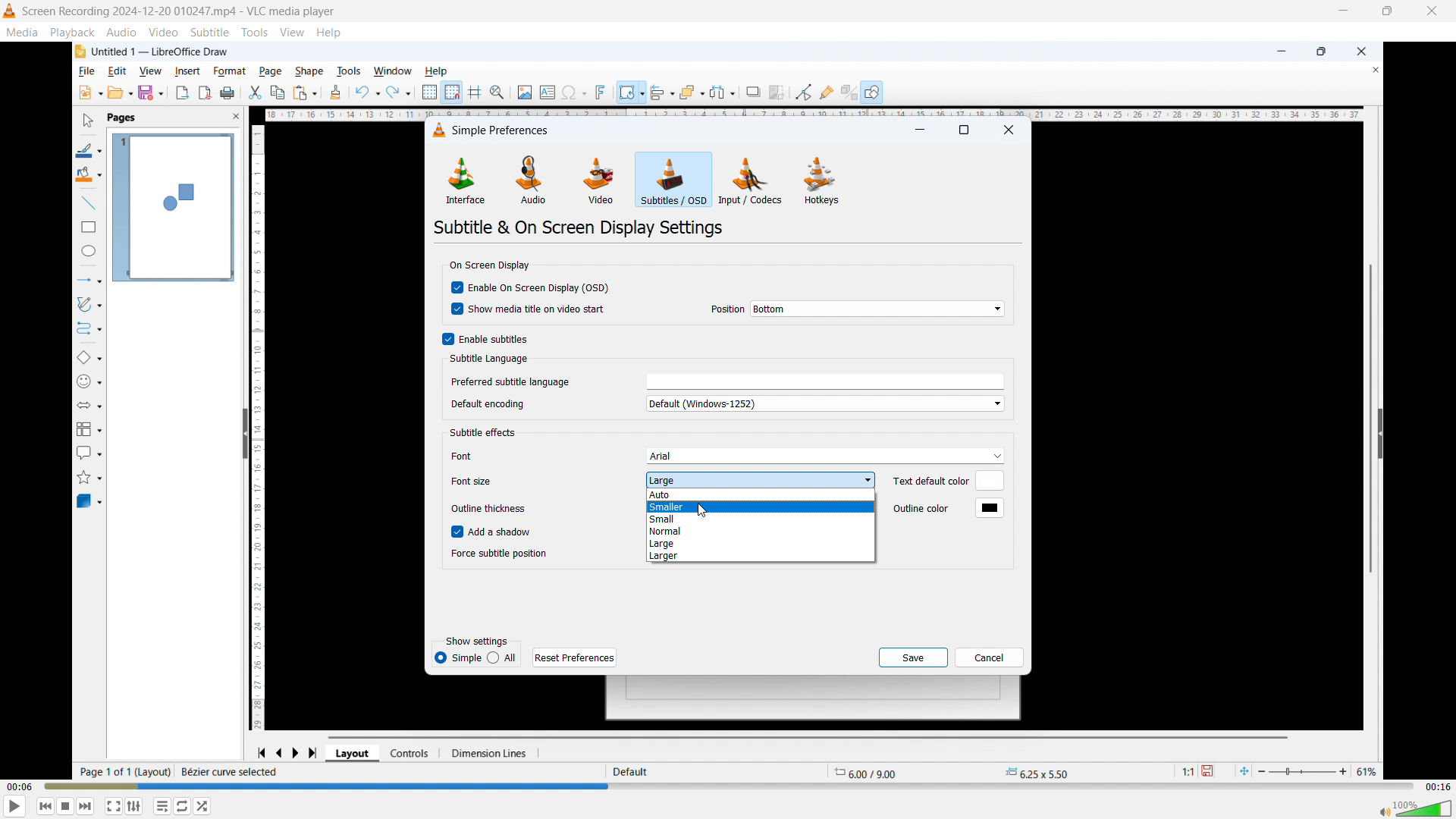  What do you see at coordinates (209, 32) in the screenshot?
I see `Subtitle ` at bounding box center [209, 32].